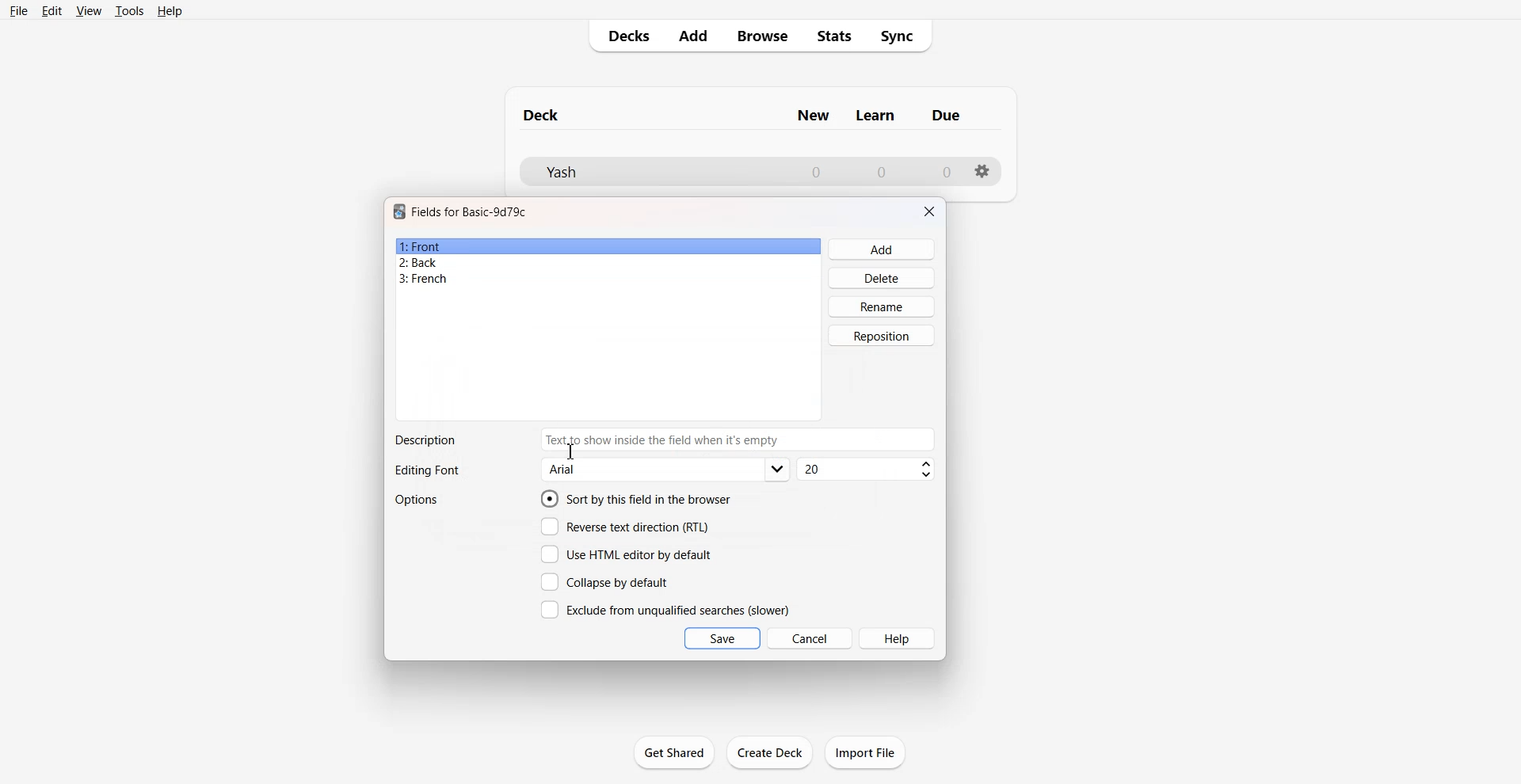 Image resolution: width=1521 pixels, height=784 pixels. What do you see at coordinates (692, 36) in the screenshot?
I see `Add` at bounding box center [692, 36].